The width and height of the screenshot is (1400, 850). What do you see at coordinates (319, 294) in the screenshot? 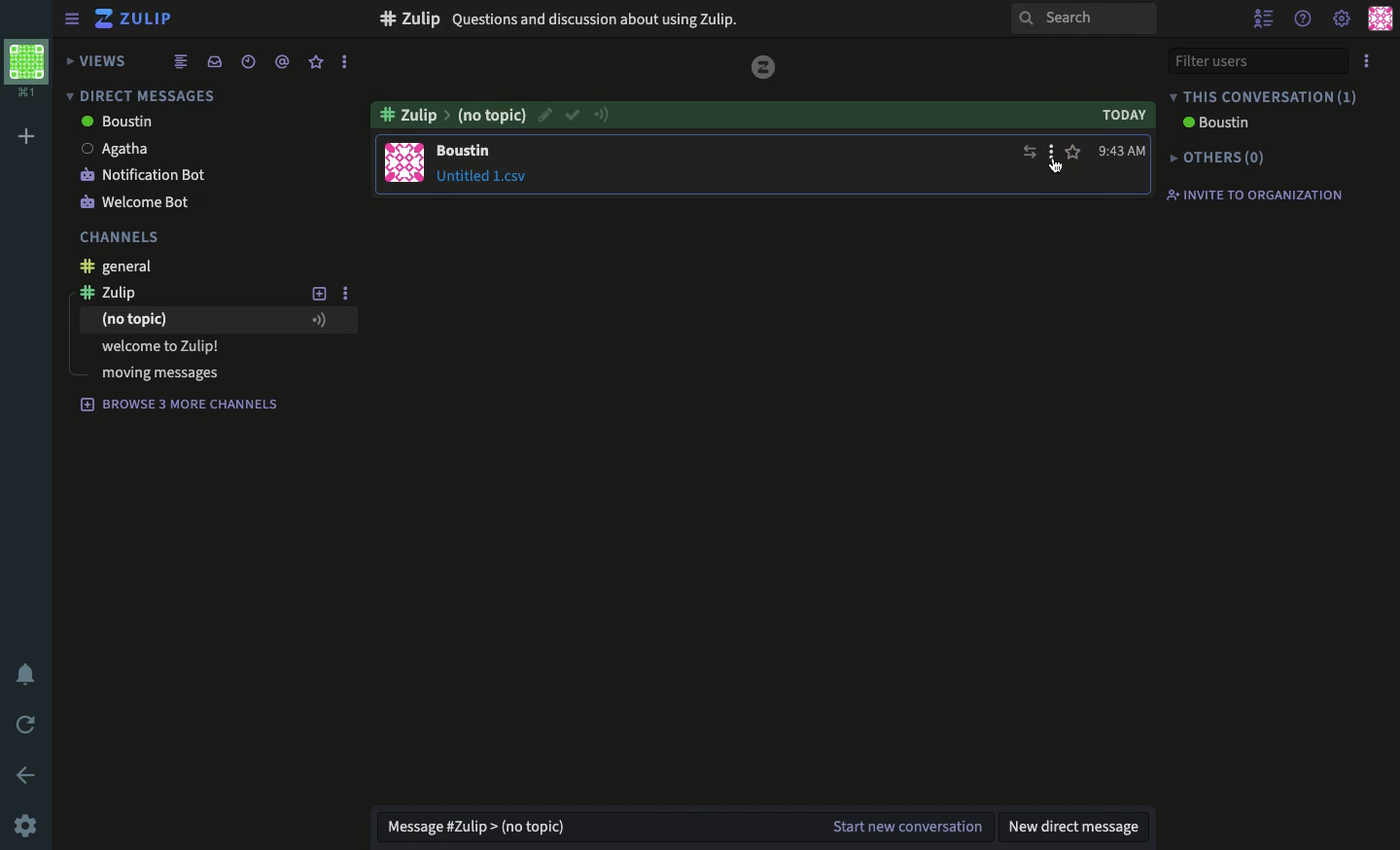
I see `add new topic` at bounding box center [319, 294].